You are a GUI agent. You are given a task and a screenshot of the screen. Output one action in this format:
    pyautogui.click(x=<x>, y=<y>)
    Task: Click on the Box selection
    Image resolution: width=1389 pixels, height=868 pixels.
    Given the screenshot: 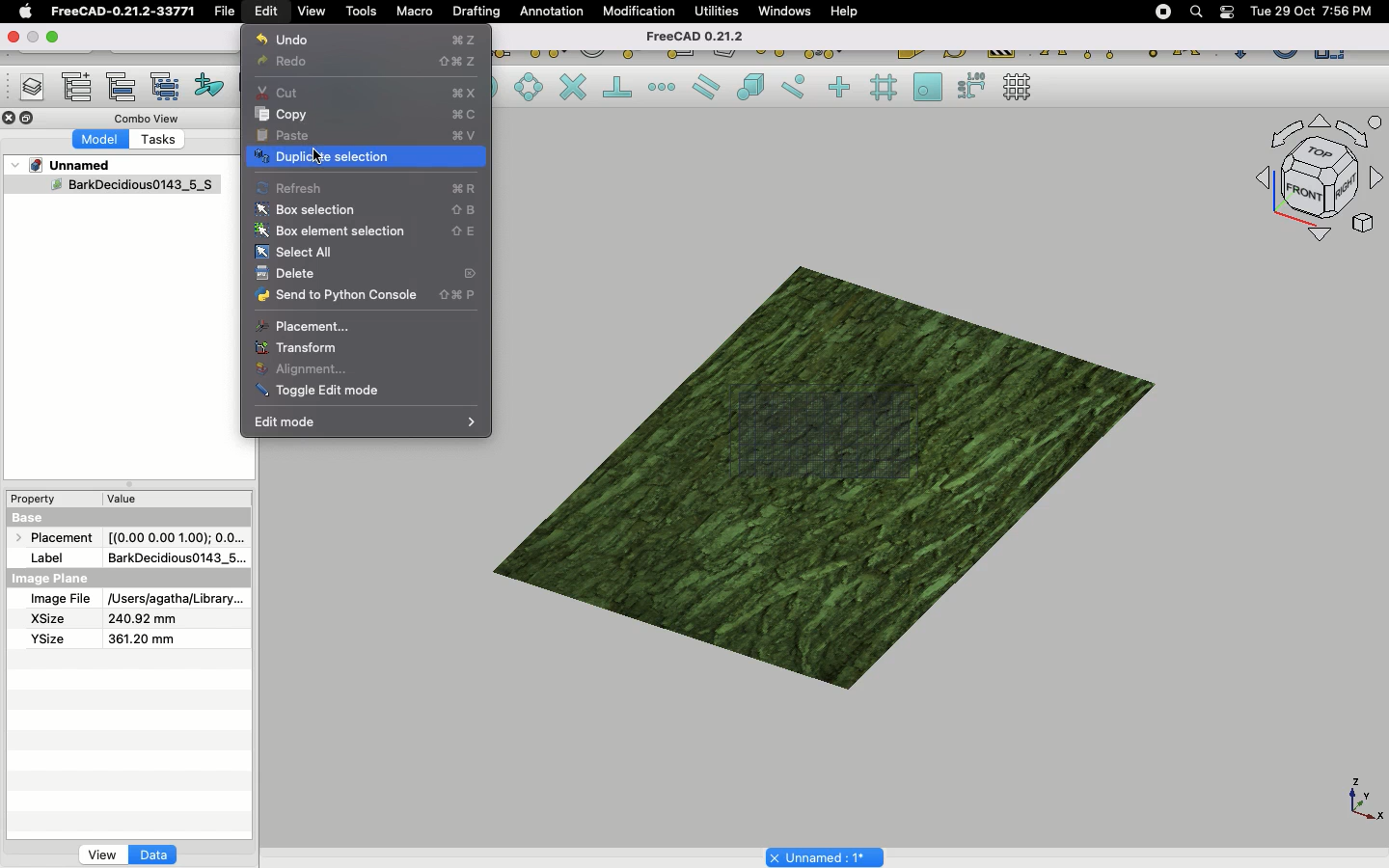 What is the action you would take?
    pyautogui.click(x=368, y=211)
    